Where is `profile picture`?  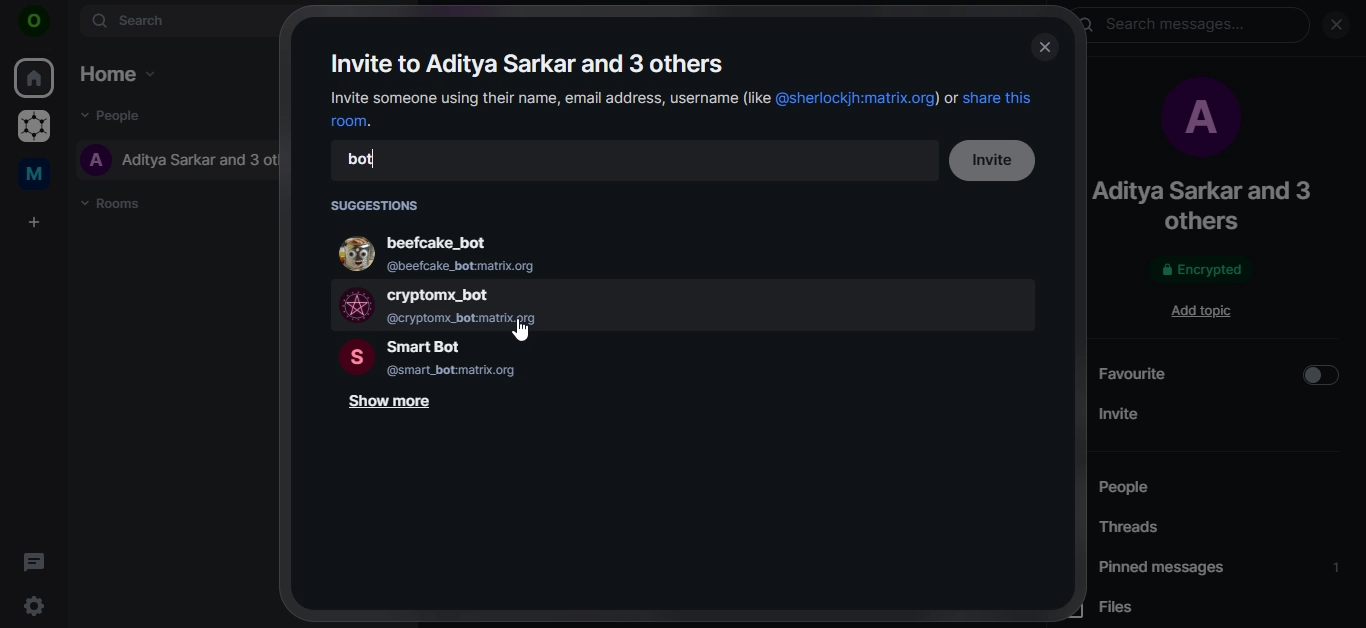
profile picture is located at coordinates (1197, 121).